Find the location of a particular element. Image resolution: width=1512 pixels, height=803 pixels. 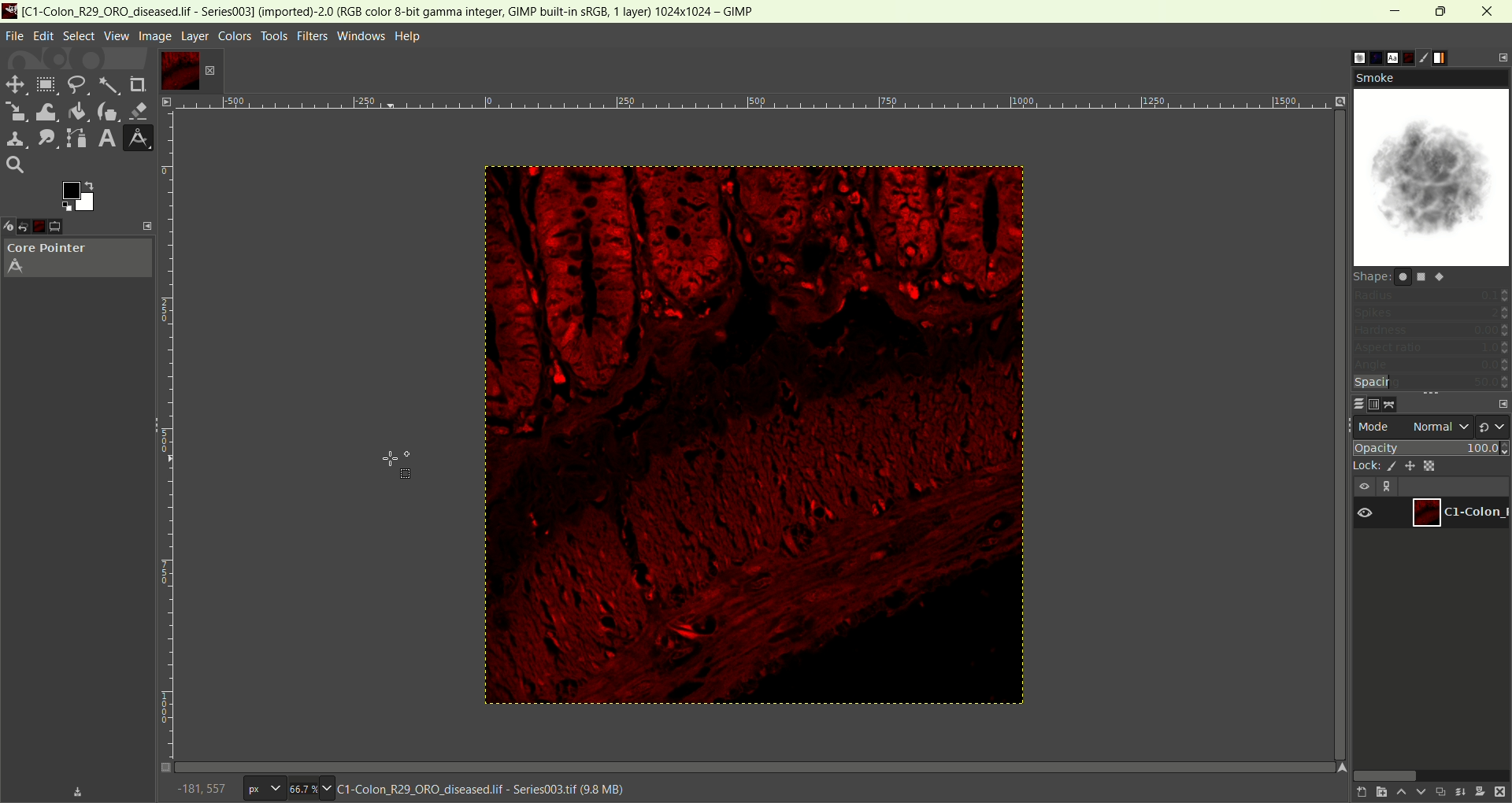

minimum is located at coordinates (1395, 12).